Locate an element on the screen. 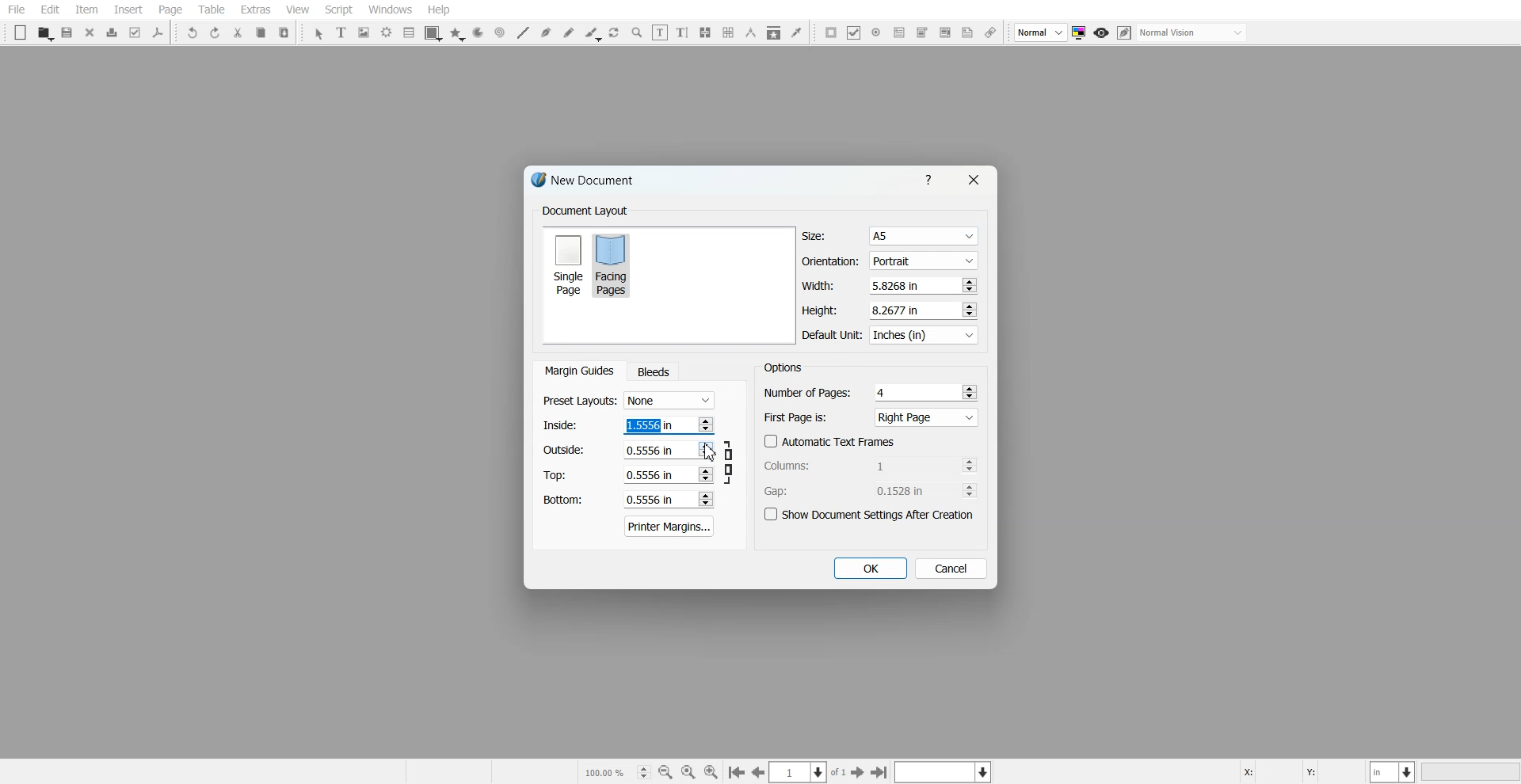 This screenshot has width=1521, height=784. Measurement is located at coordinates (751, 32).